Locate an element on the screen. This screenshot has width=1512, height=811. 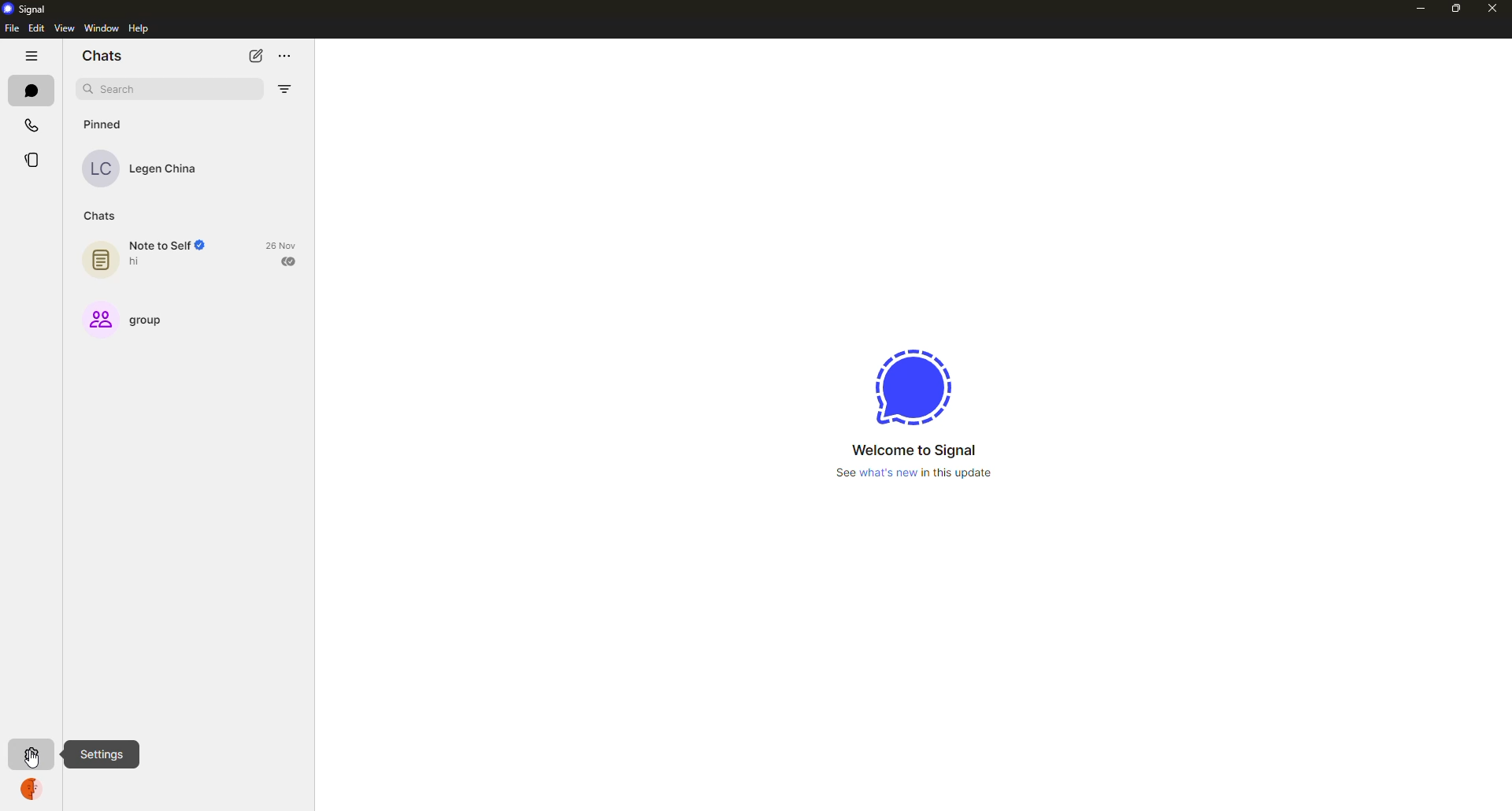
file is located at coordinates (11, 28).